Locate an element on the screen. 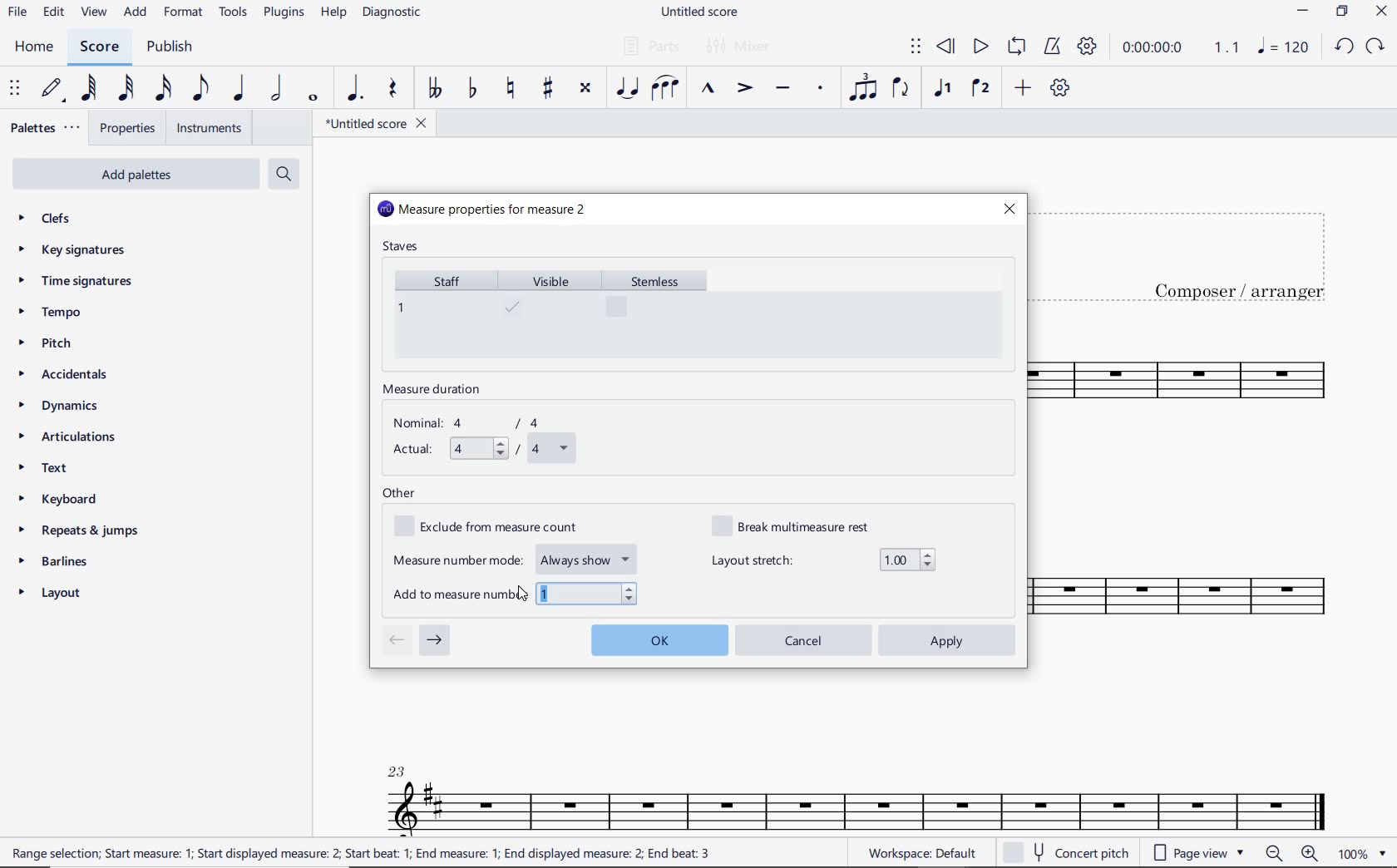  go to previous measure is located at coordinates (396, 641).